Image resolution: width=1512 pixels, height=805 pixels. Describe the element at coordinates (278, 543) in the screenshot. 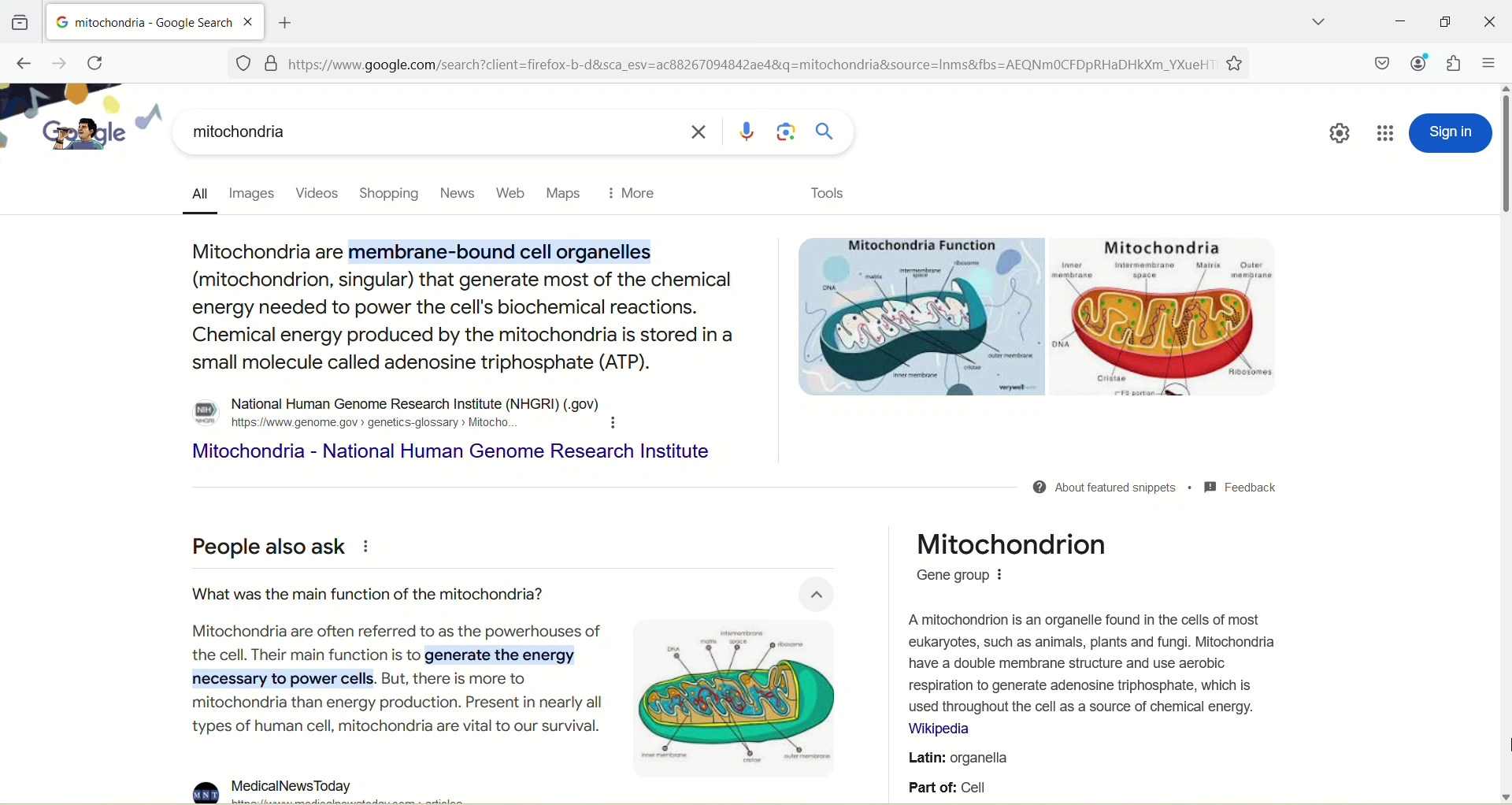

I see `People also ask` at that location.